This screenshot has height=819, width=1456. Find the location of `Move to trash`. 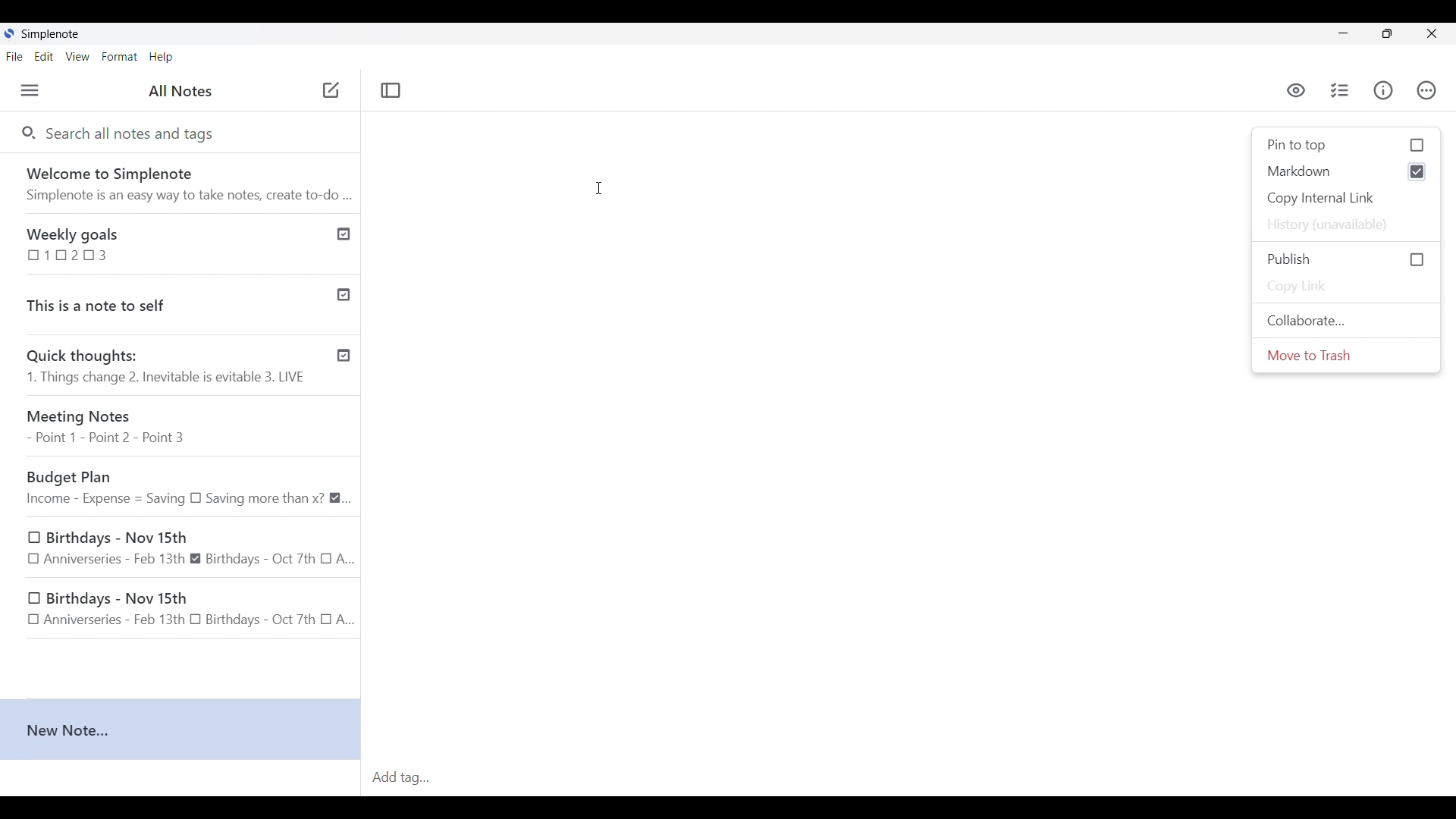

Move to trash is located at coordinates (1345, 355).